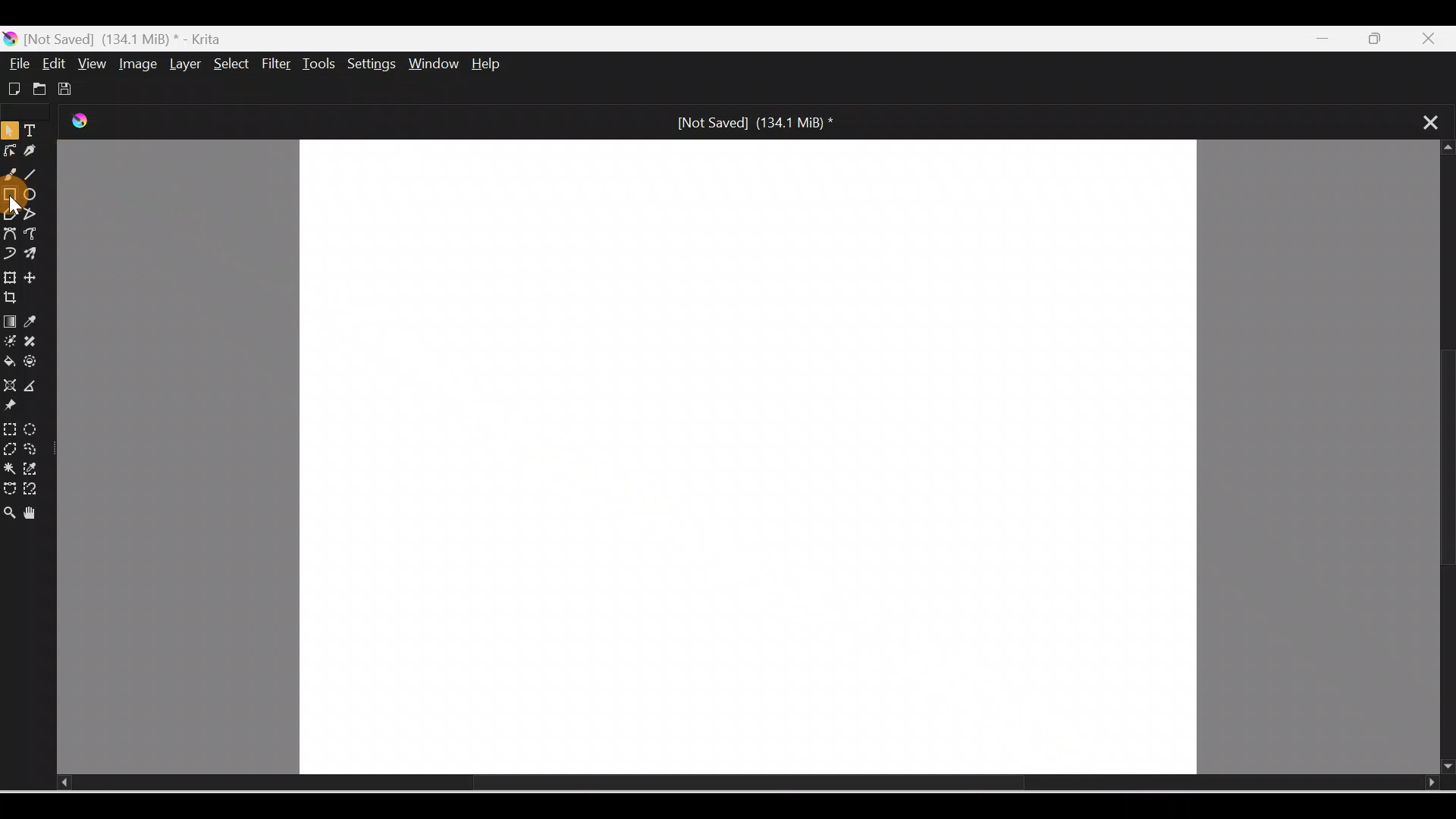 The width and height of the screenshot is (1456, 819). What do you see at coordinates (1384, 39) in the screenshot?
I see `Maximize` at bounding box center [1384, 39].